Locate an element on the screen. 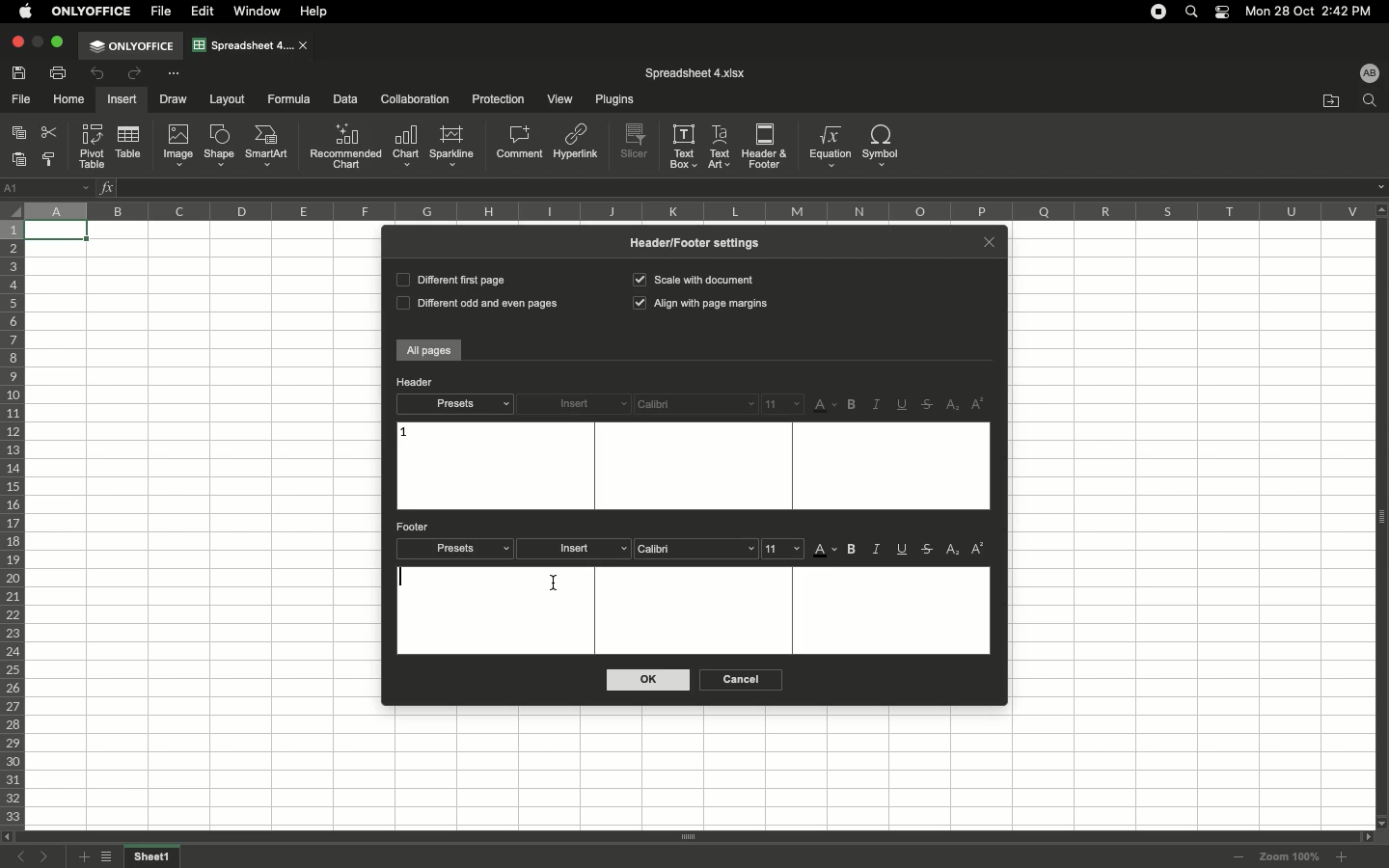  Header/Footer settings is located at coordinates (701, 242).